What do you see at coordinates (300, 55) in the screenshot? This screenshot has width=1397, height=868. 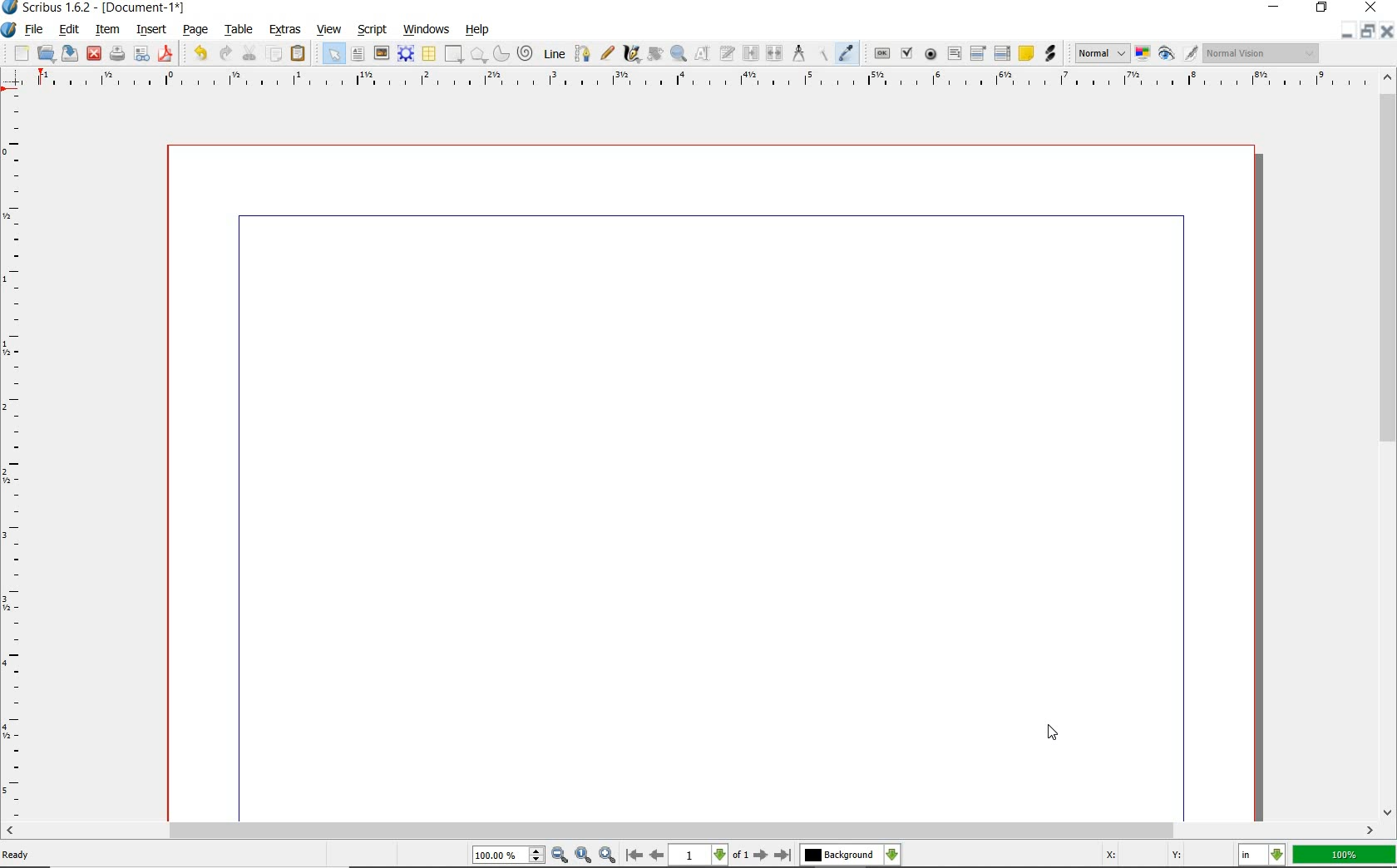 I see `paste` at bounding box center [300, 55].